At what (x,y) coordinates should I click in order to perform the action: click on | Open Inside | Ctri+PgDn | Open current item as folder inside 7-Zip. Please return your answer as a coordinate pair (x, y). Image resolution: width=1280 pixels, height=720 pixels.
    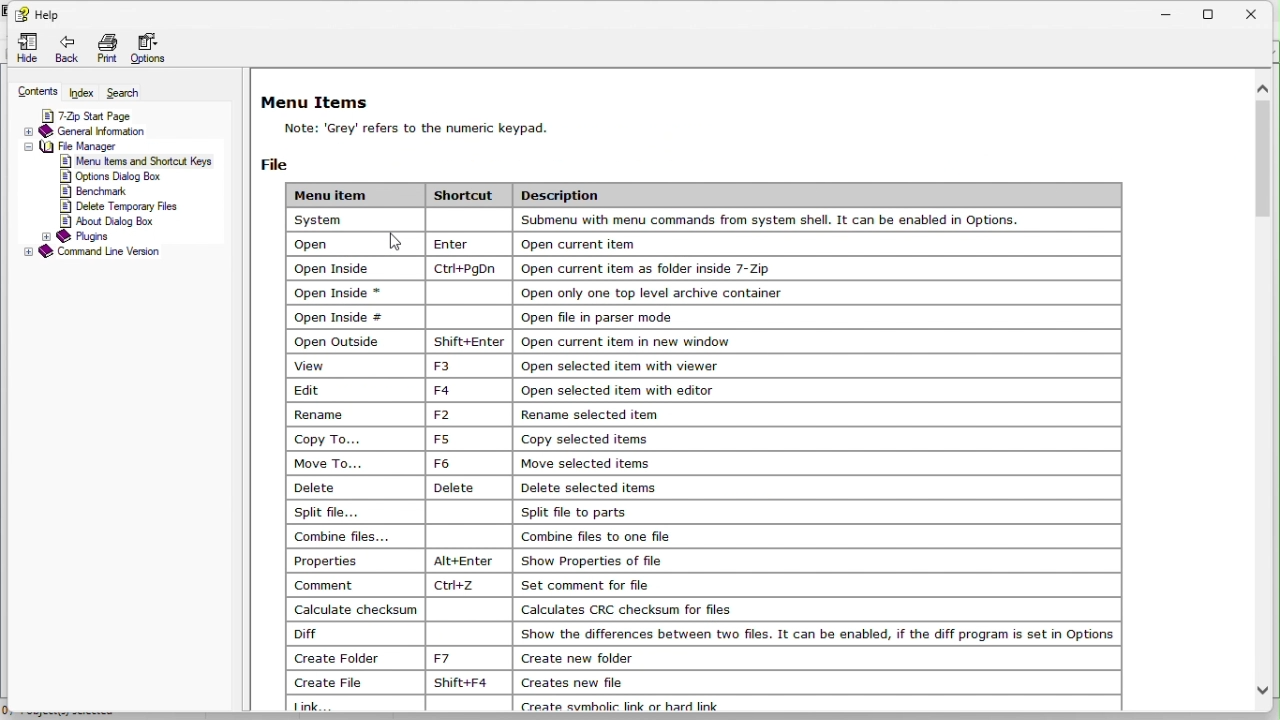
    Looking at the image, I should click on (682, 268).